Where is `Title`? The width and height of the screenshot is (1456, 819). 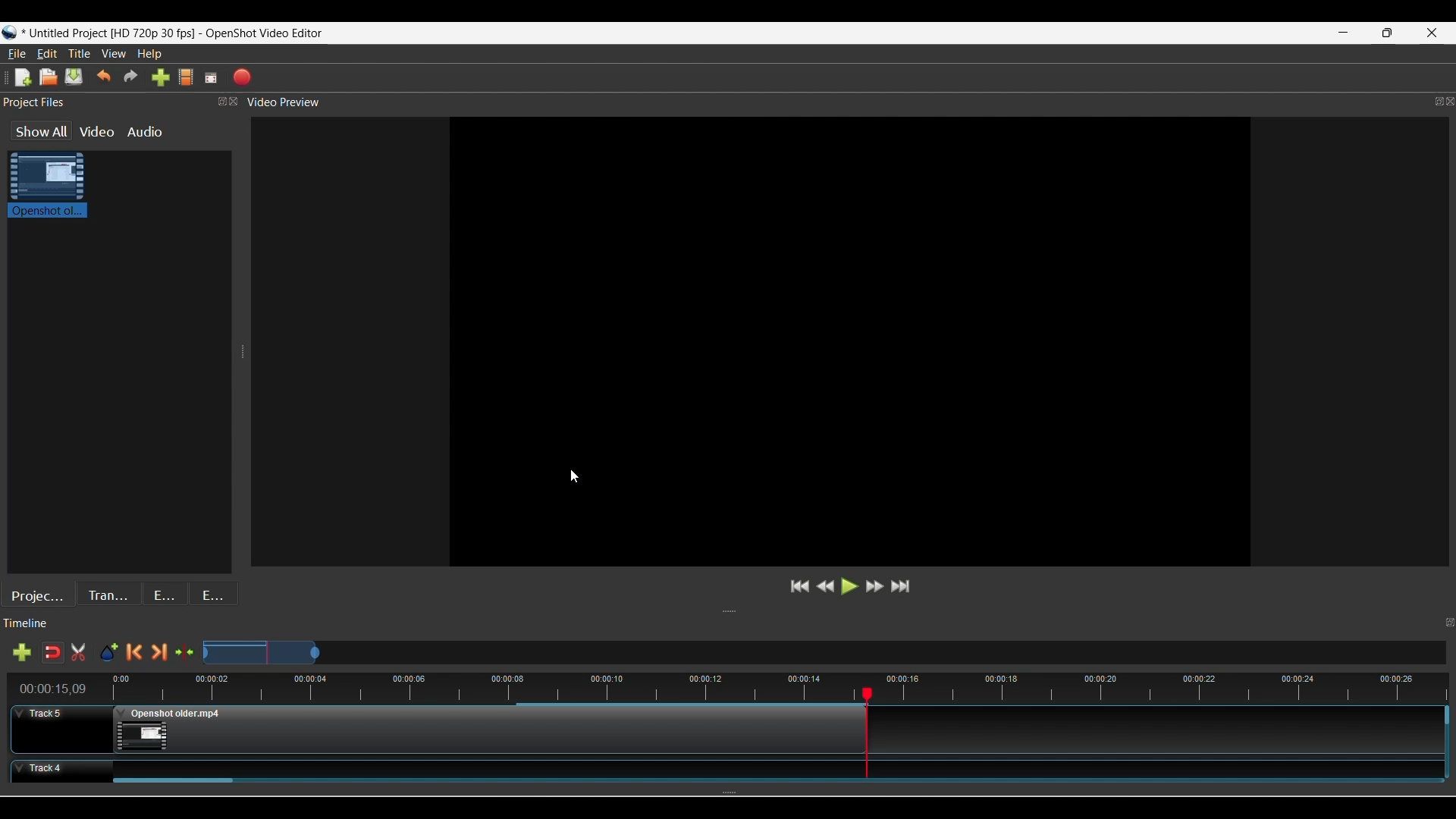 Title is located at coordinates (80, 54).